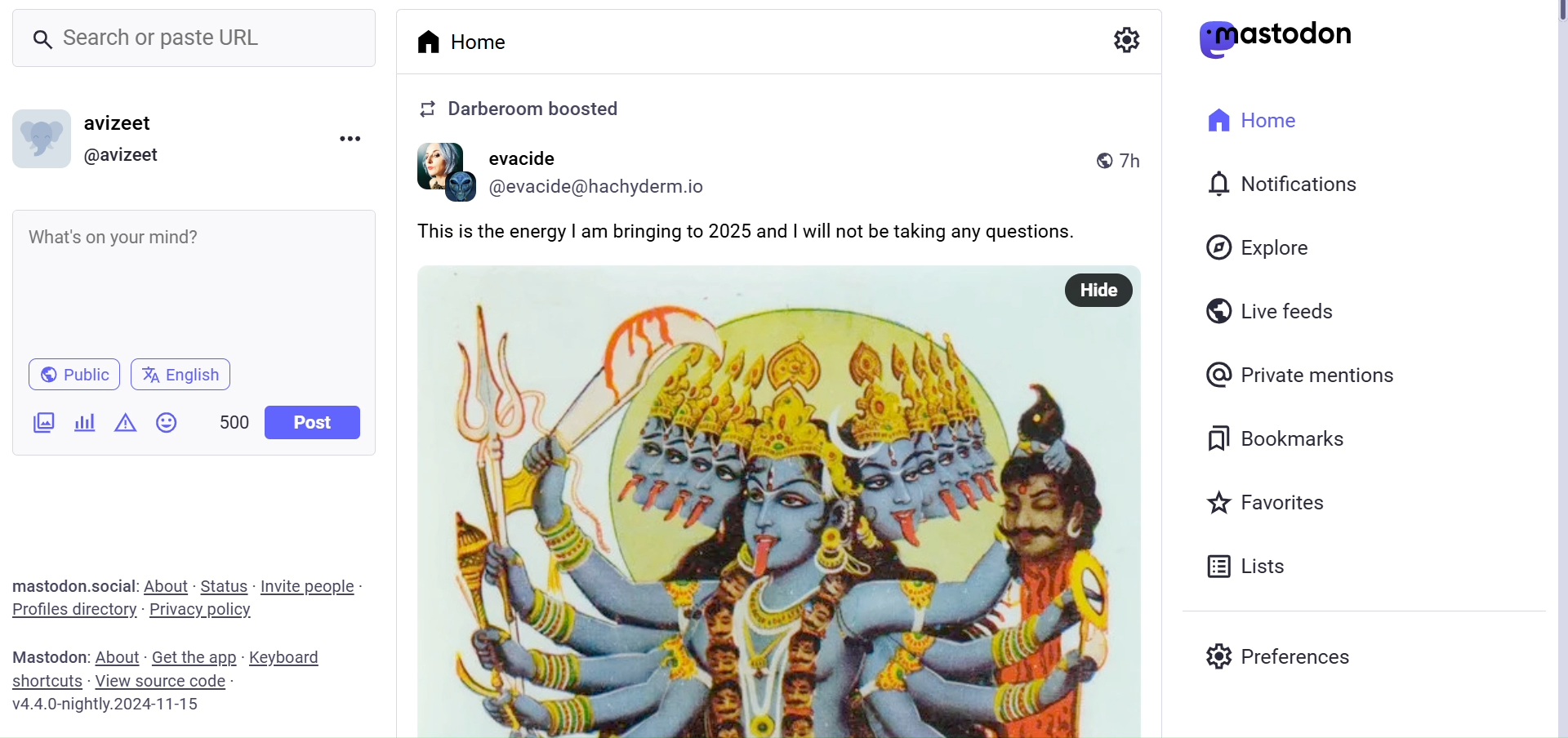 The image size is (1568, 738). Describe the element at coordinates (1275, 440) in the screenshot. I see `Bookmarks` at that location.